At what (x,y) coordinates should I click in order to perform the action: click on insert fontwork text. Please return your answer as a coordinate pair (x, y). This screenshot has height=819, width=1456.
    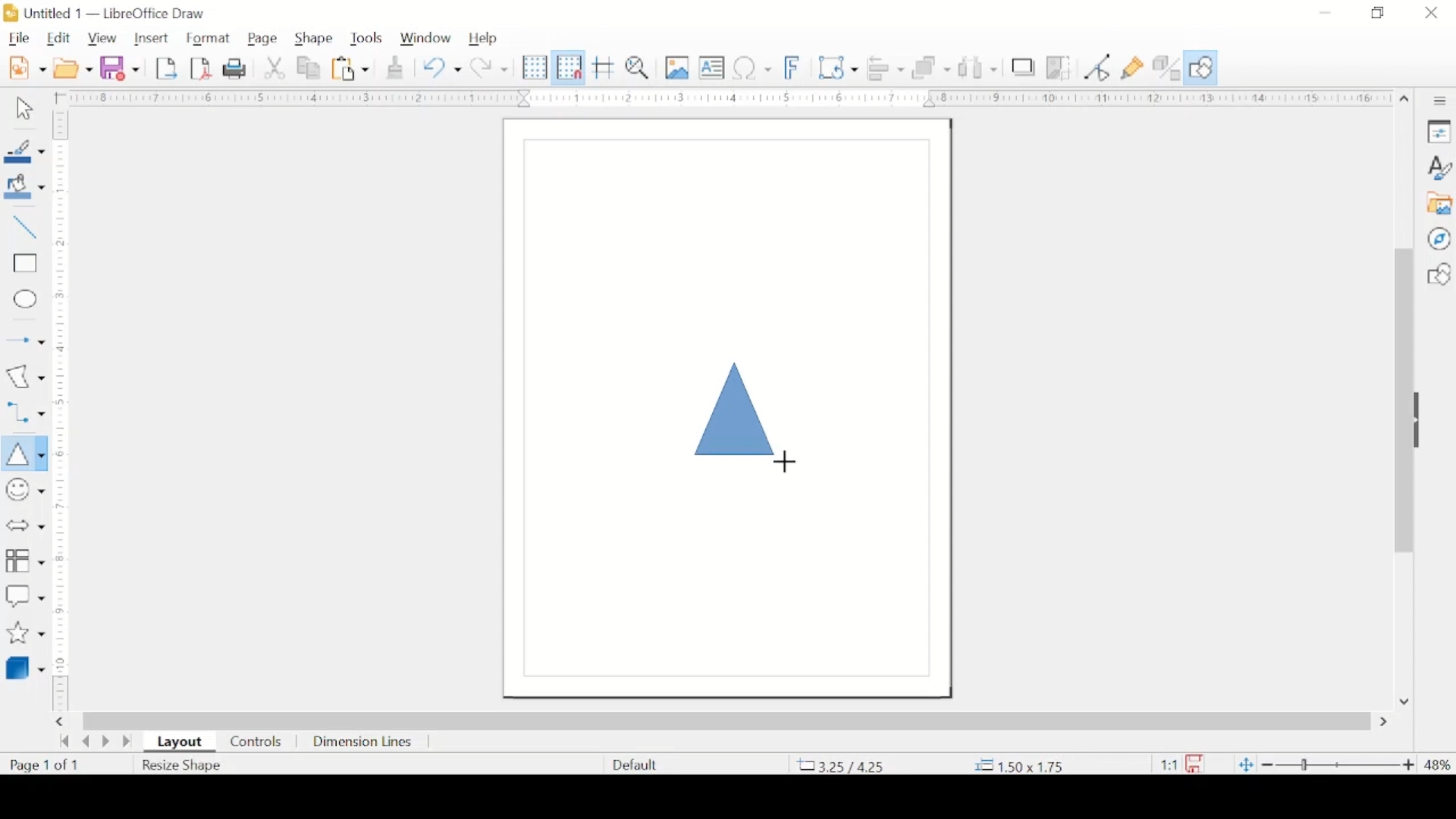
    Looking at the image, I should click on (794, 67).